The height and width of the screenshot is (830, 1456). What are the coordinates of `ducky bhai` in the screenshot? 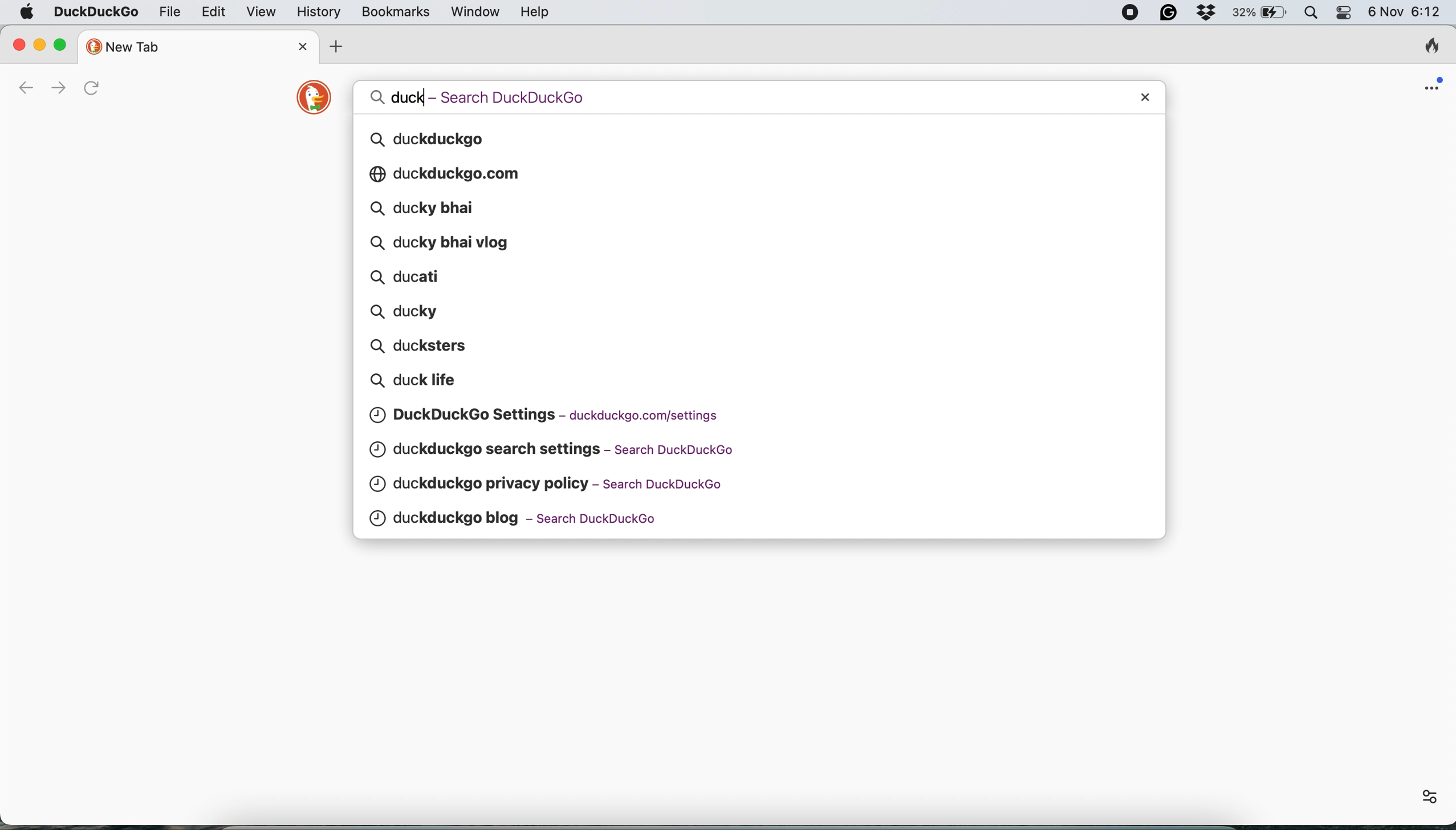 It's located at (431, 208).